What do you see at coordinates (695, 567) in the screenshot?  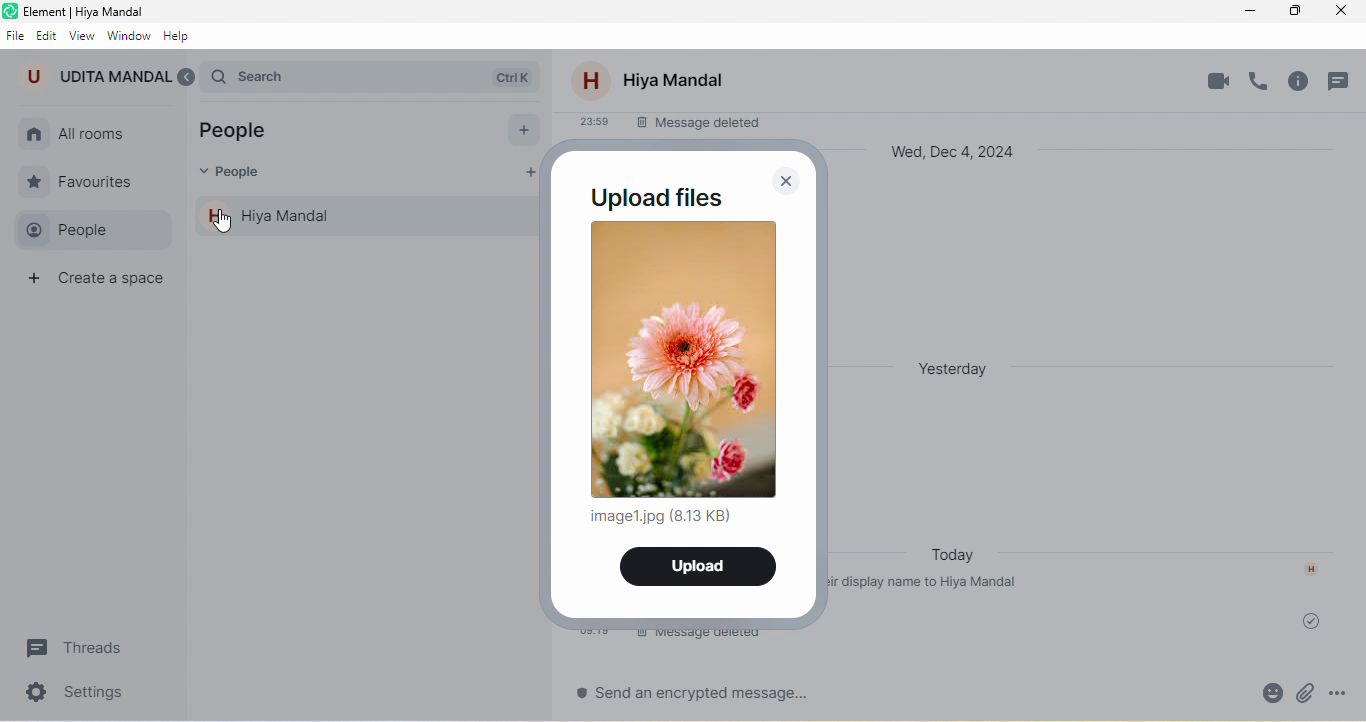 I see `Upload` at bounding box center [695, 567].